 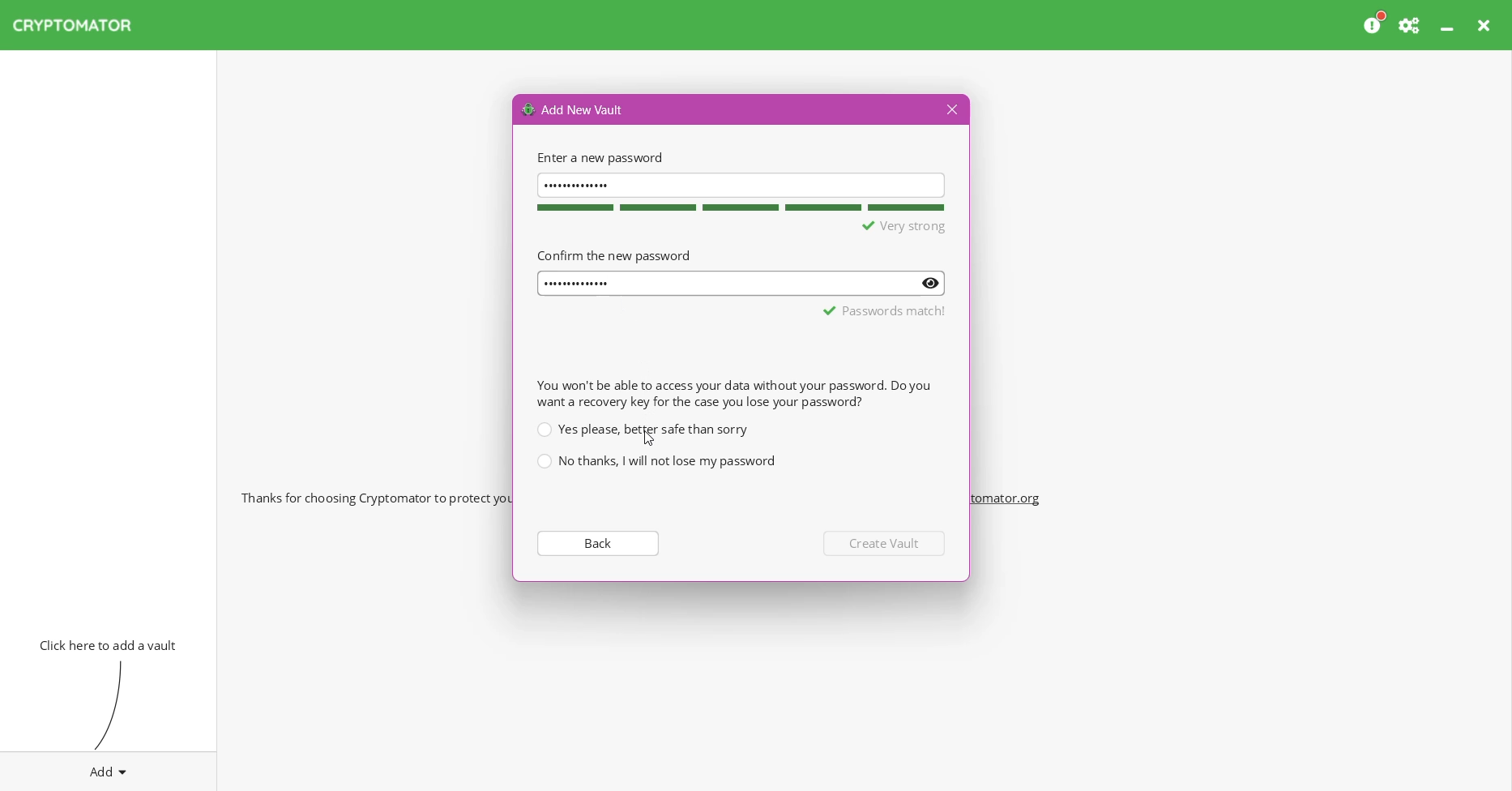 What do you see at coordinates (105, 643) in the screenshot?
I see `Click here to add vault` at bounding box center [105, 643].